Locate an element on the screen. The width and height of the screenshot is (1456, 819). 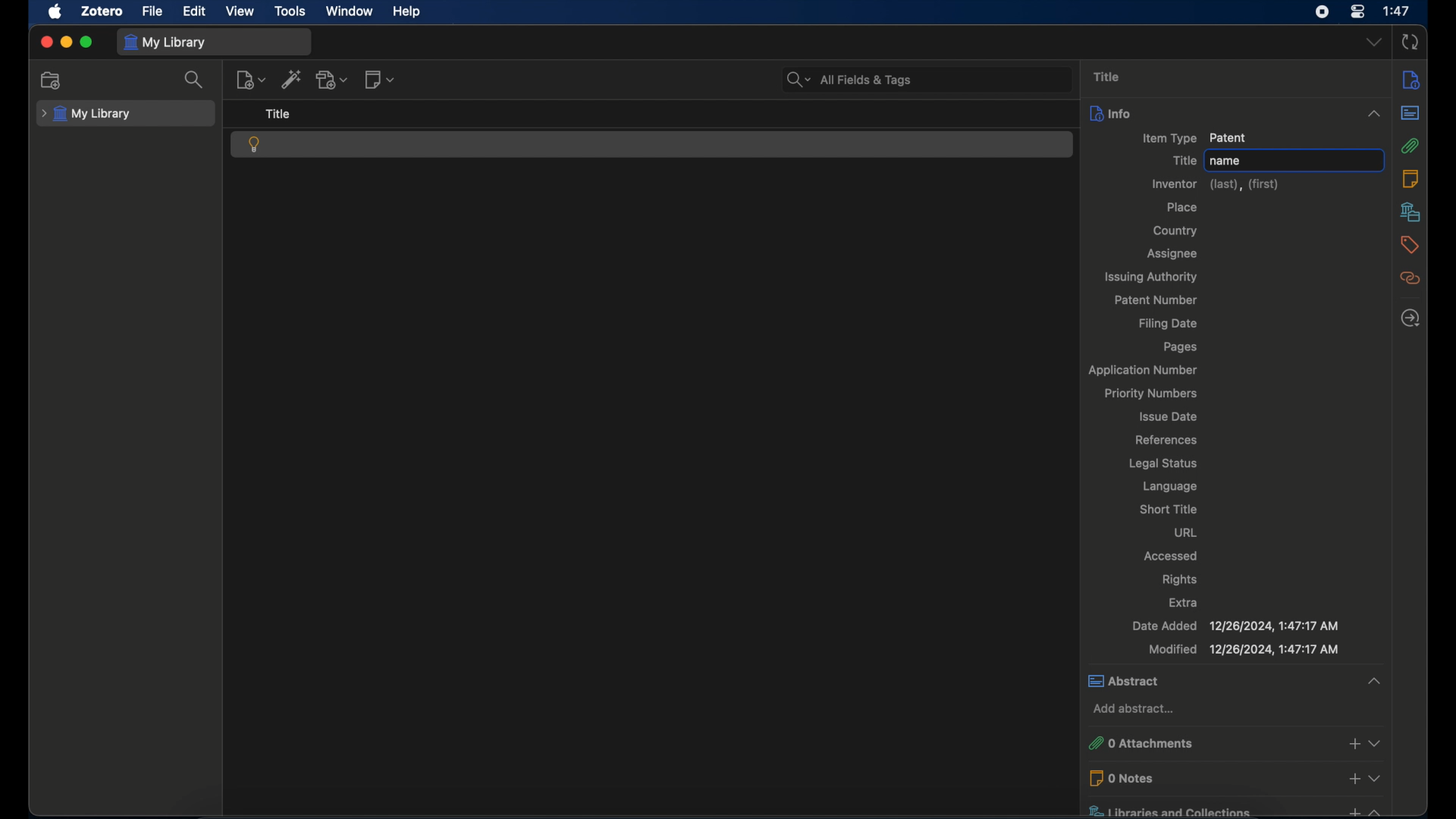
help is located at coordinates (406, 12).